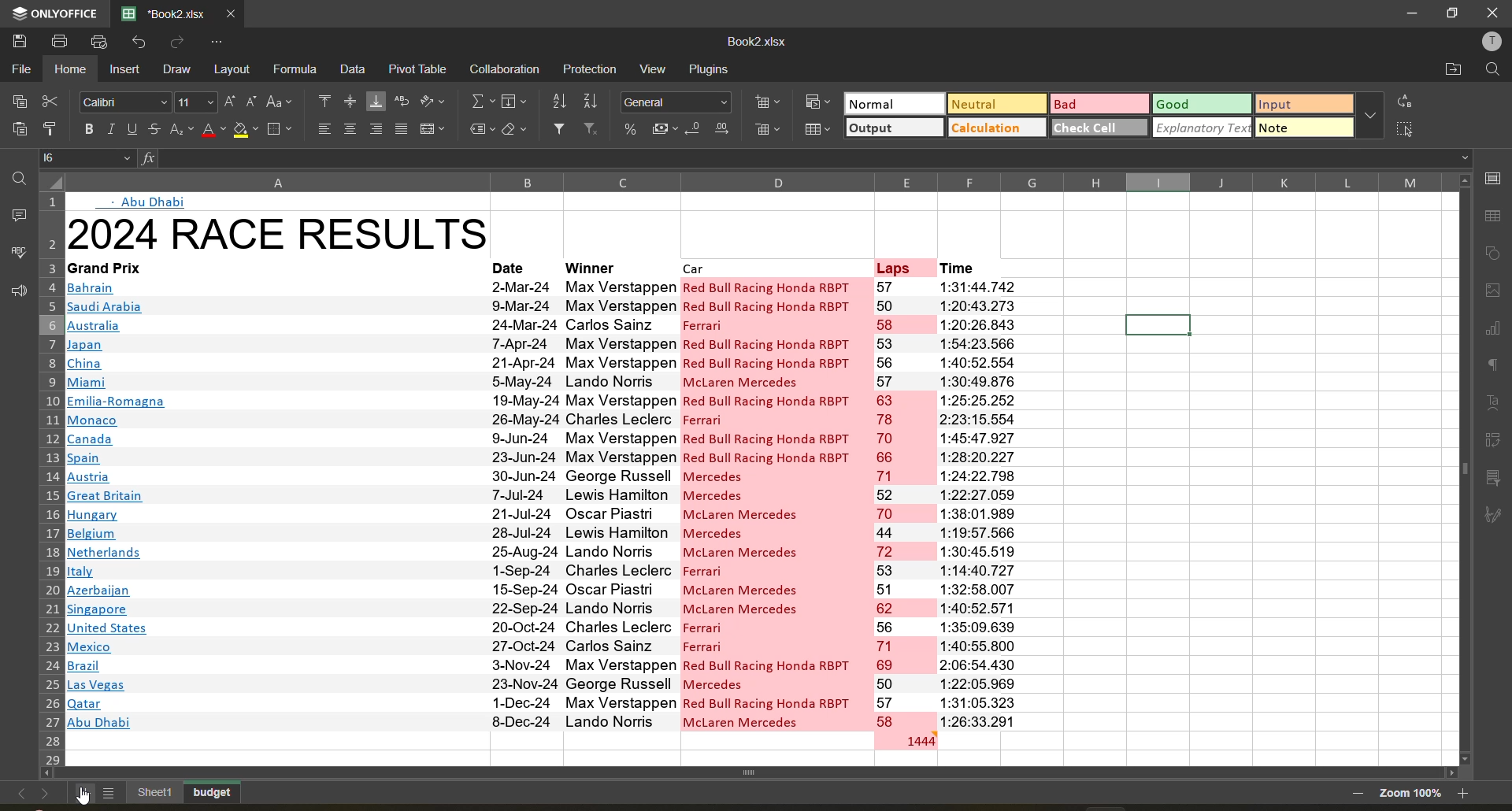 The image size is (1512, 811). Describe the element at coordinates (350, 102) in the screenshot. I see `align middle` at that location.